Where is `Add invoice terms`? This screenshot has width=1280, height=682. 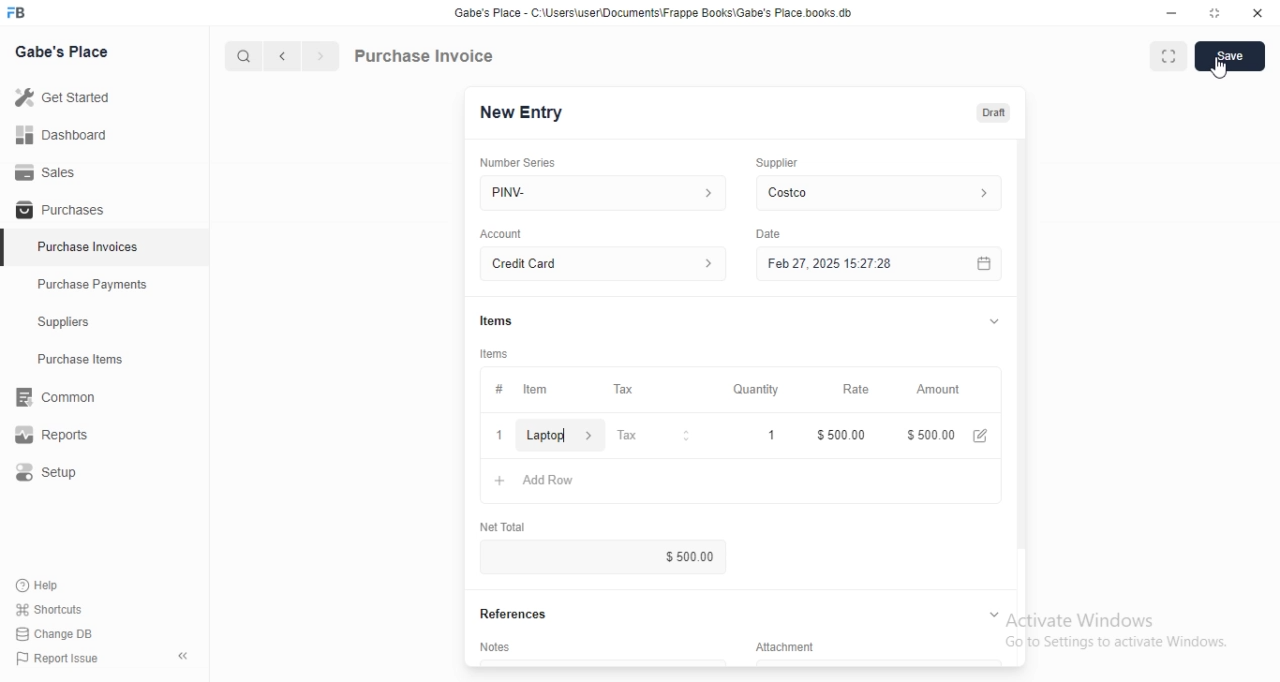
Add invoice terms is located at coordinates (603, 662).